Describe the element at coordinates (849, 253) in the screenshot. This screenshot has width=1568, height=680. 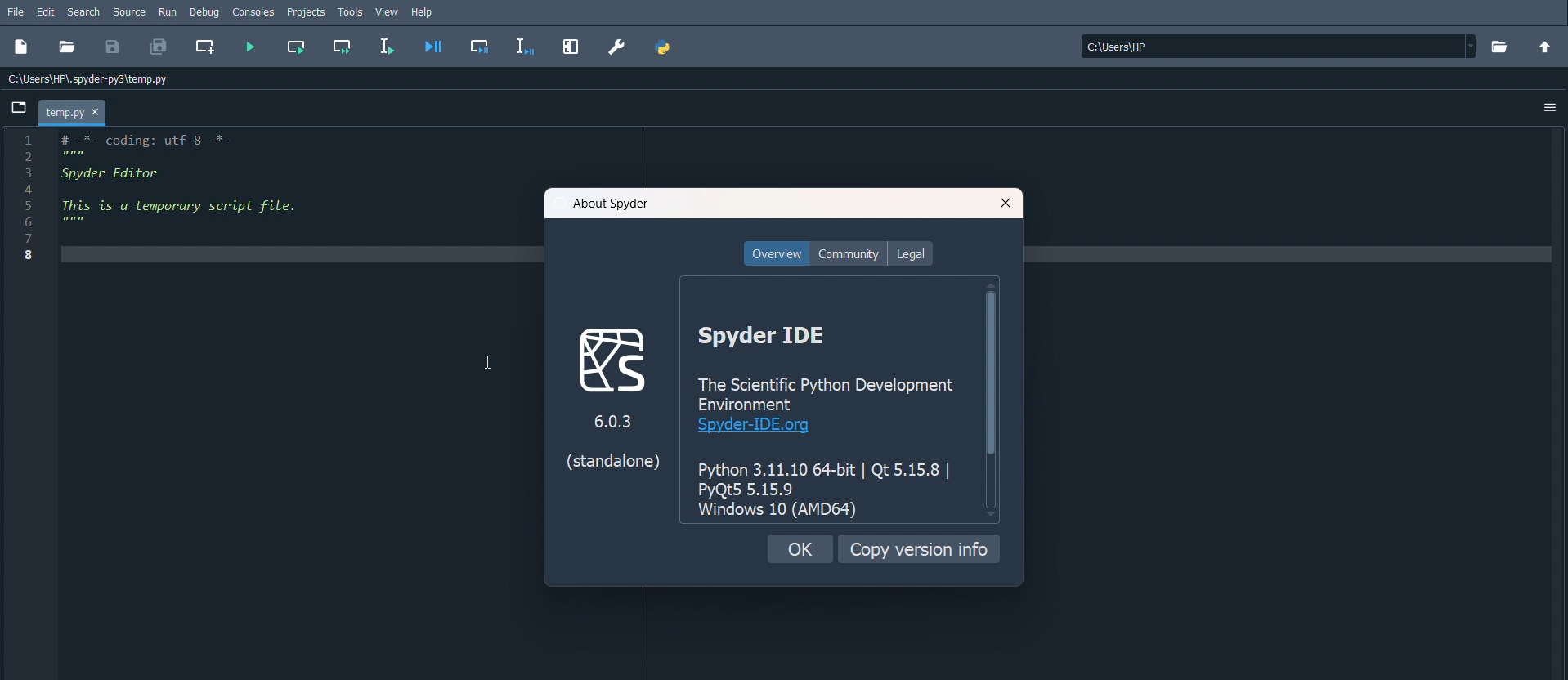
I see `Community` at that location.